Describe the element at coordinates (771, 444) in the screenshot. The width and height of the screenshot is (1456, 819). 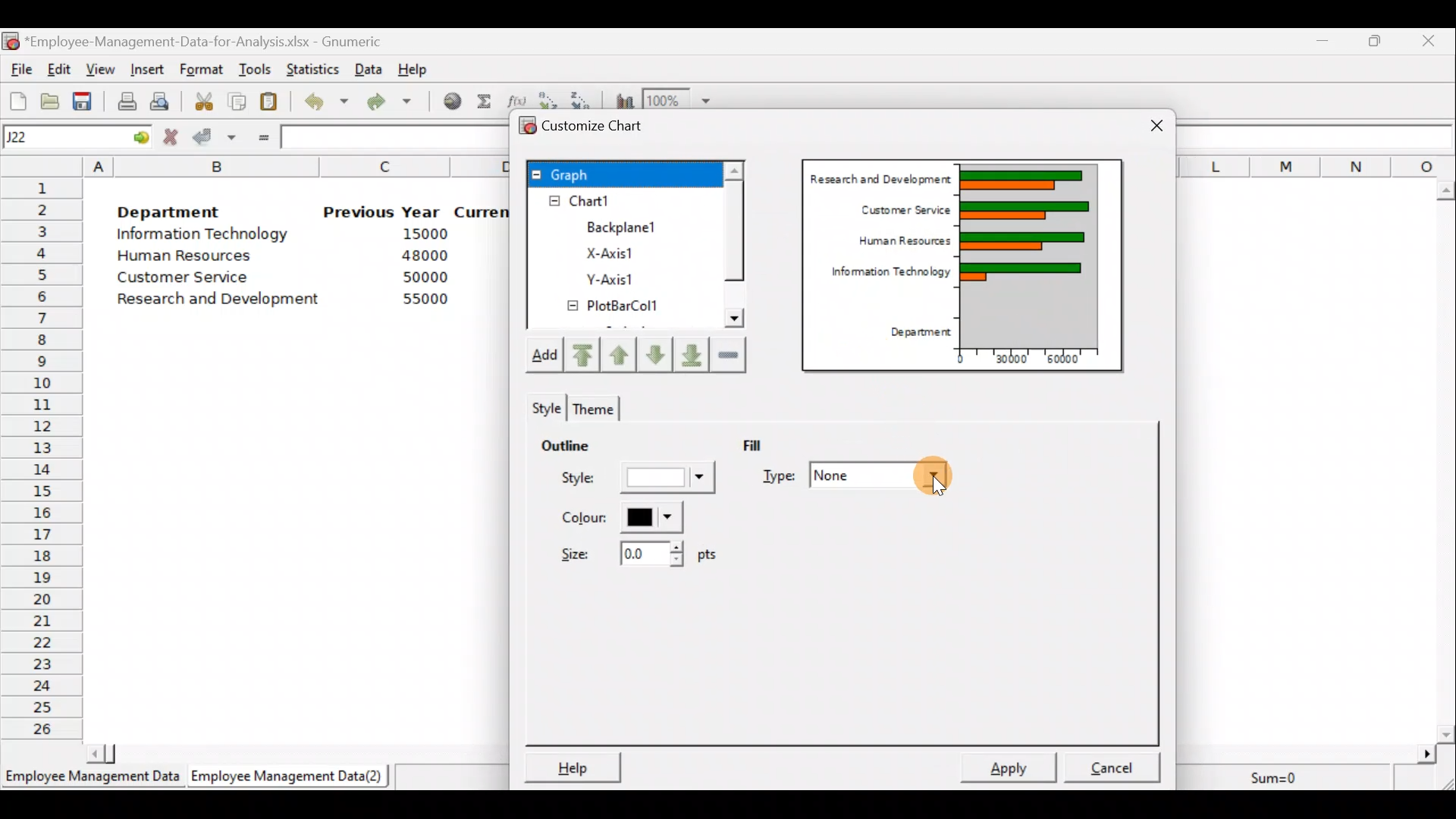
I see `Fill` at that location.